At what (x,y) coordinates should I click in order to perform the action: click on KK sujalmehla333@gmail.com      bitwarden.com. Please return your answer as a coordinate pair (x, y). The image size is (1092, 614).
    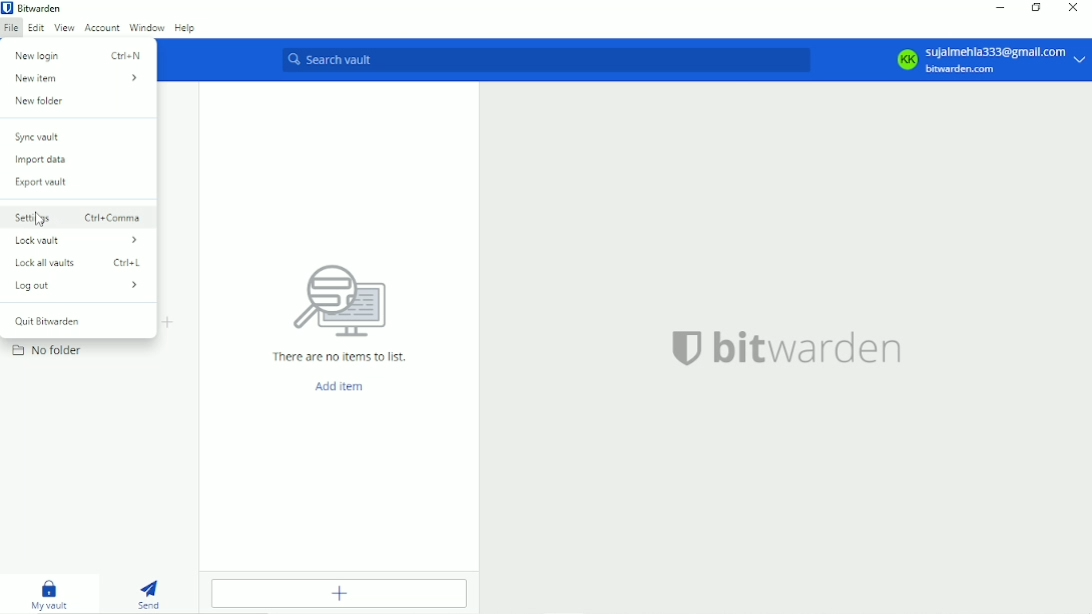
    Looking at the image, I should click on (988, 59).